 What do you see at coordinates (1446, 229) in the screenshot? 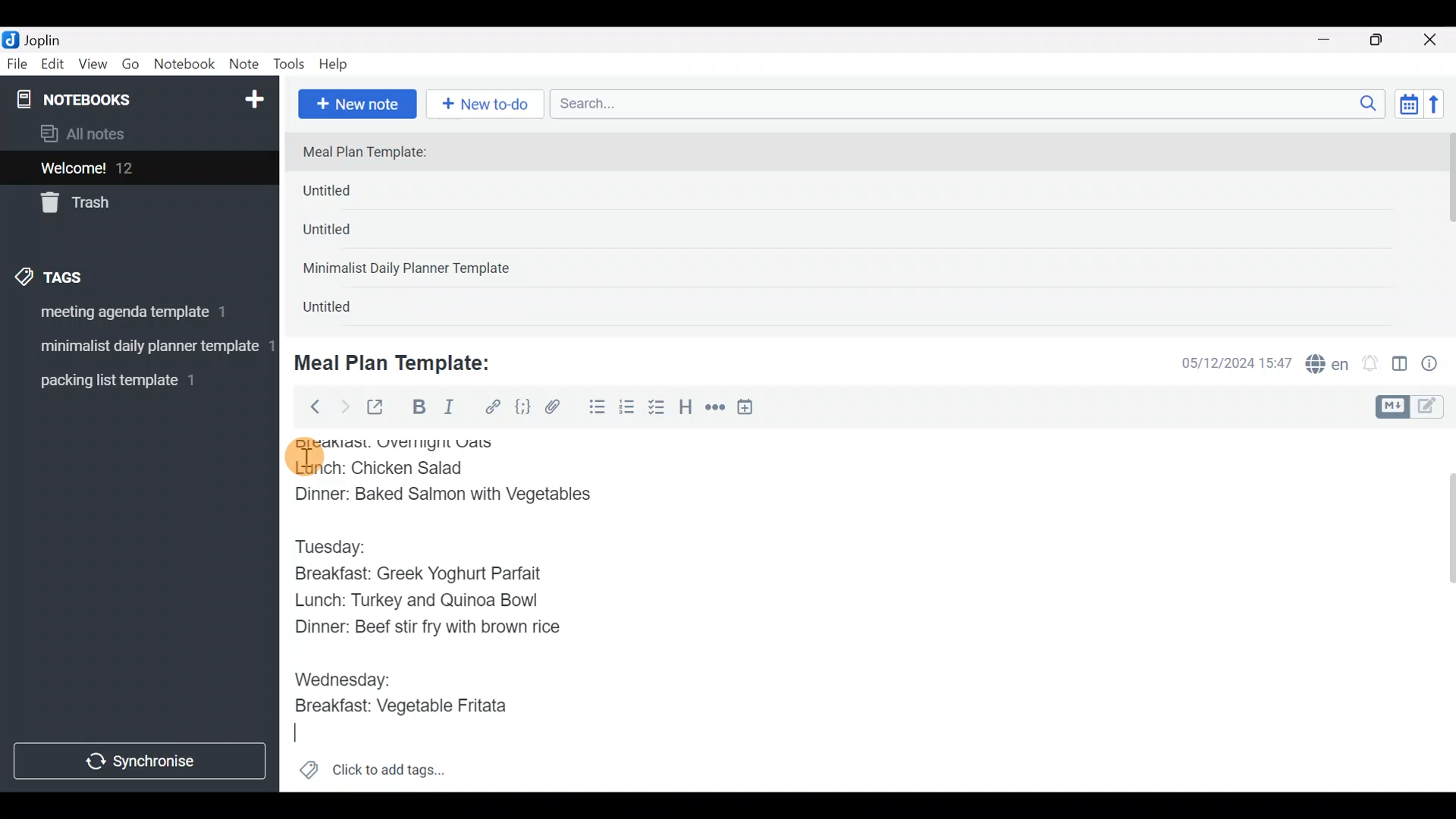
I see `scroll bar` at bounding box center [1446, 229].